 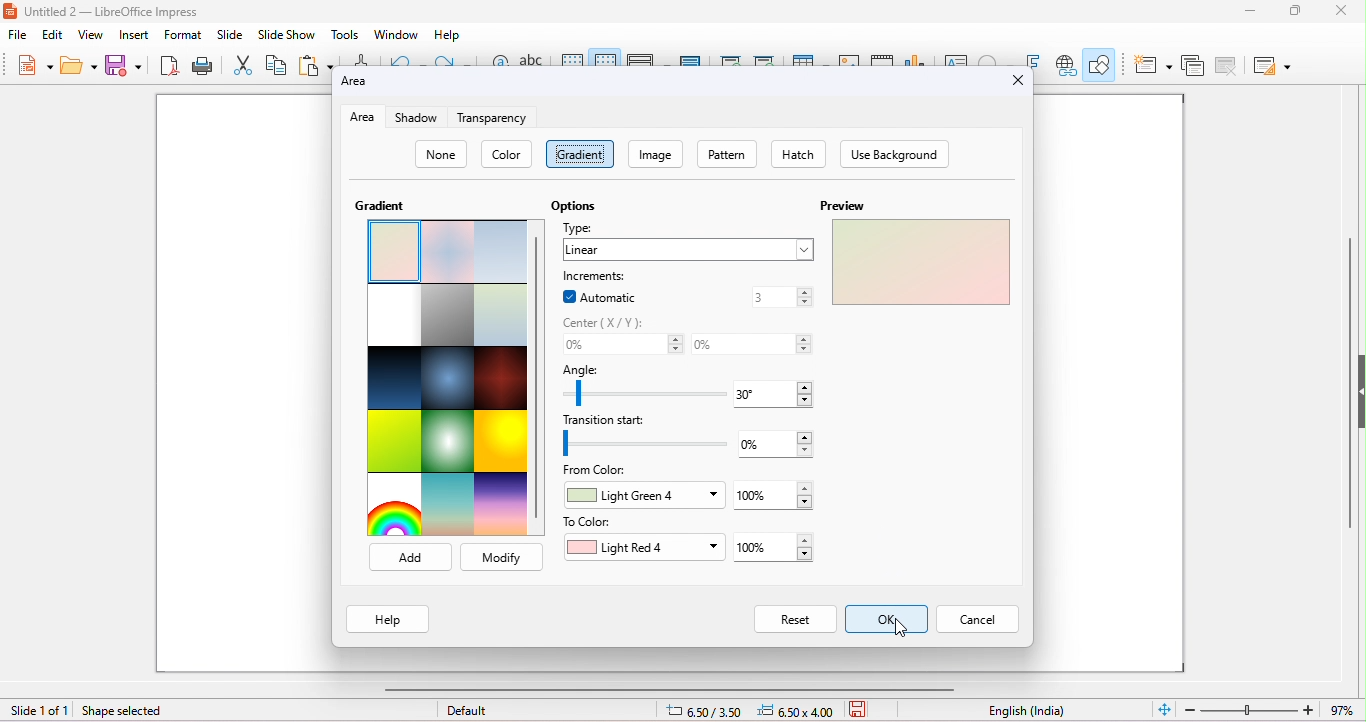 I want to click on To color:, so click(x=589, y=522).